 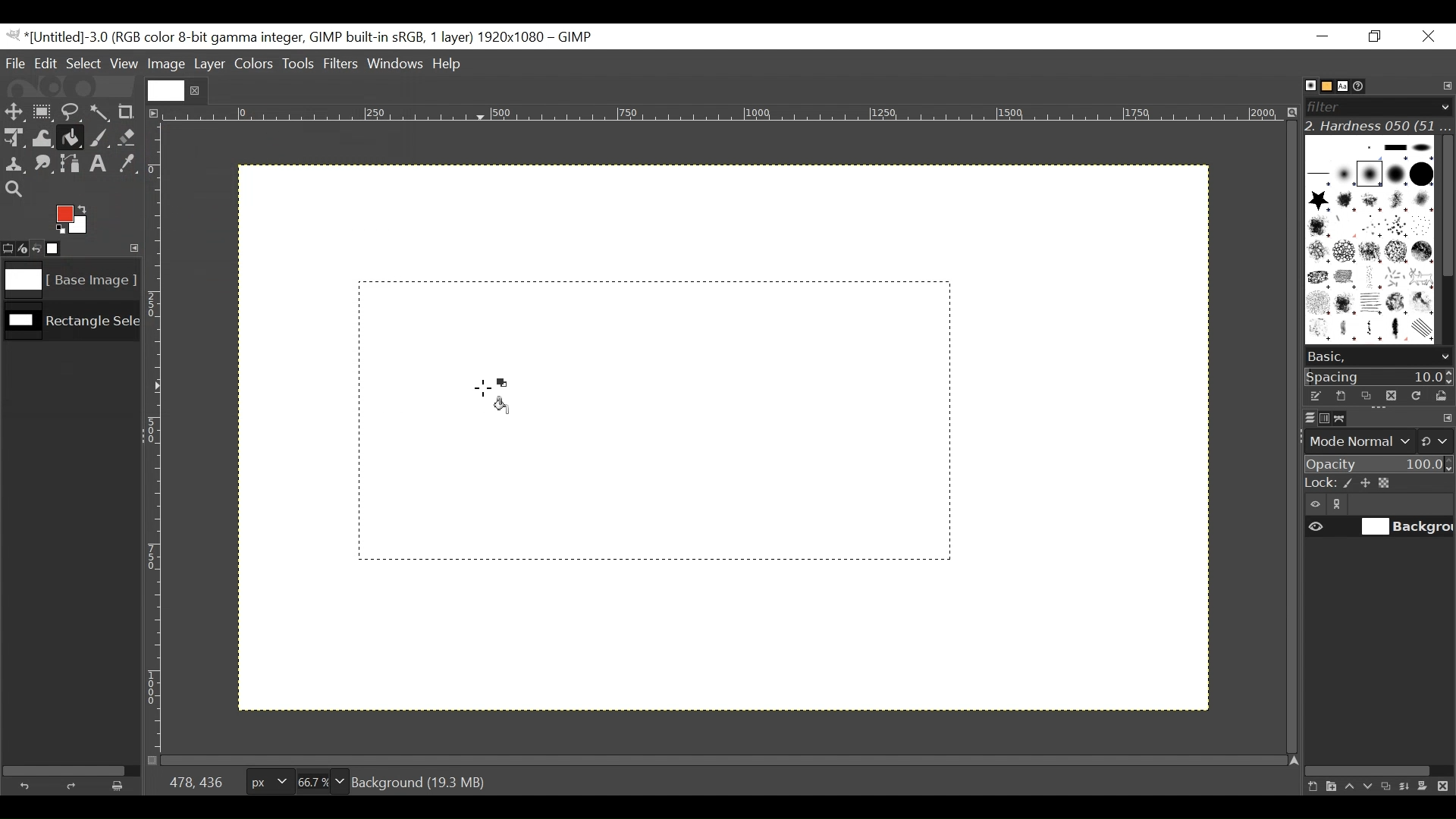 What do you see at coordinates (1447, 419) in the screenshot?
I see `configure this tab` at bounding box center [1447, 419].